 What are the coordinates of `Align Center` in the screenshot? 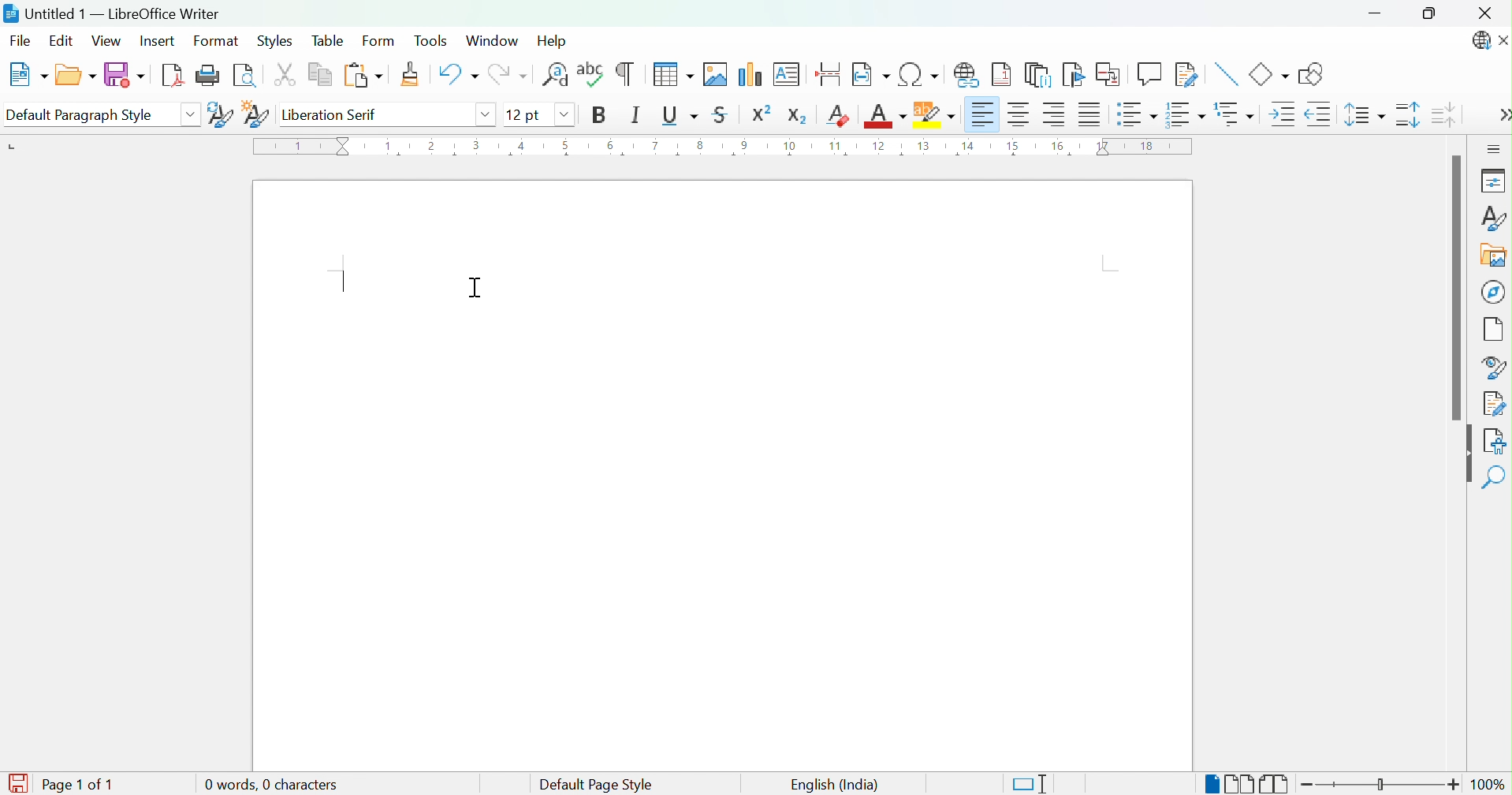 It's located at (1020, 114).